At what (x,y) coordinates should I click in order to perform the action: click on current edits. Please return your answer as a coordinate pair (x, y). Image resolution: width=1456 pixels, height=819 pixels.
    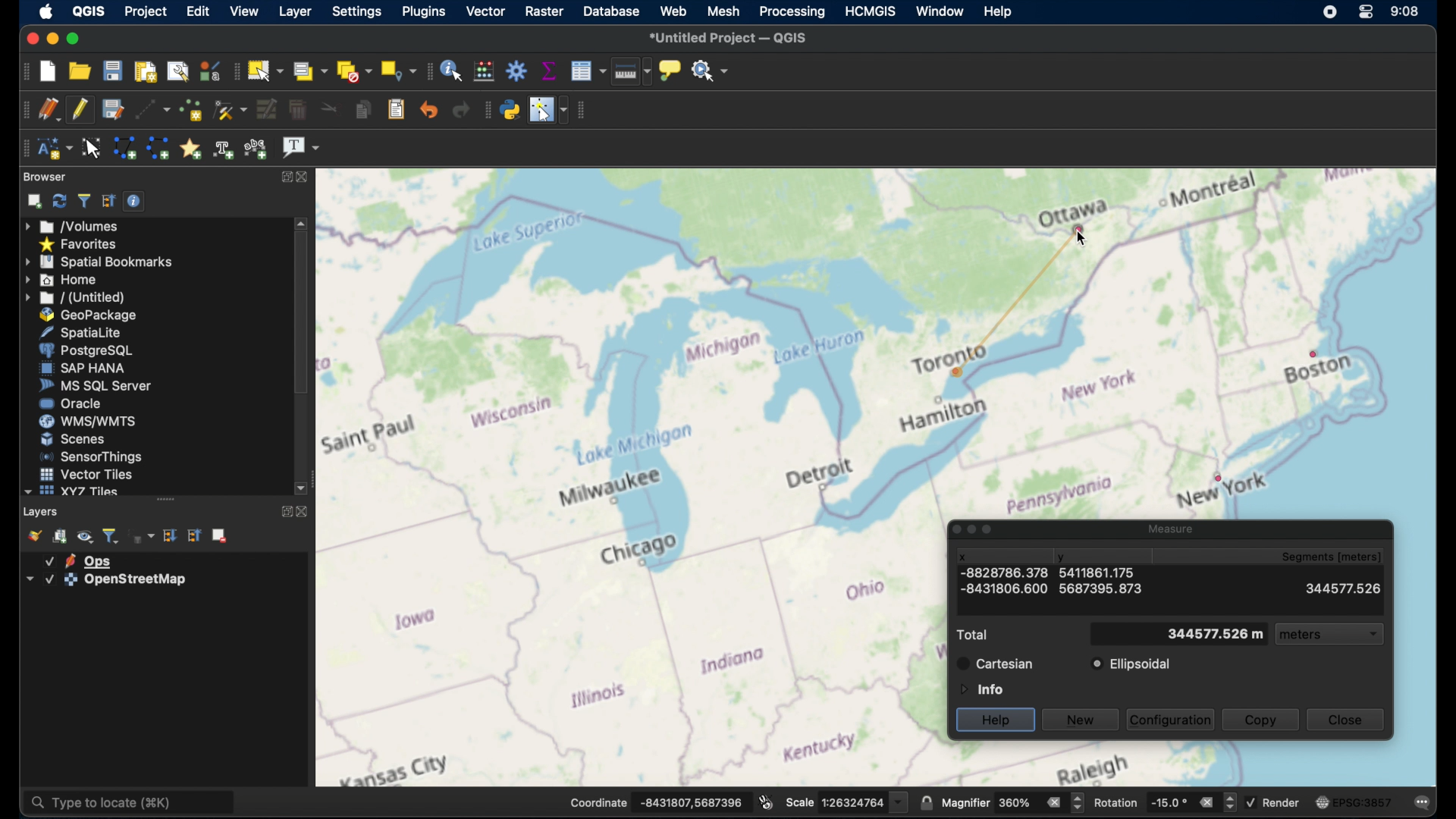
    Looking at the image, I should click on (49, 109).